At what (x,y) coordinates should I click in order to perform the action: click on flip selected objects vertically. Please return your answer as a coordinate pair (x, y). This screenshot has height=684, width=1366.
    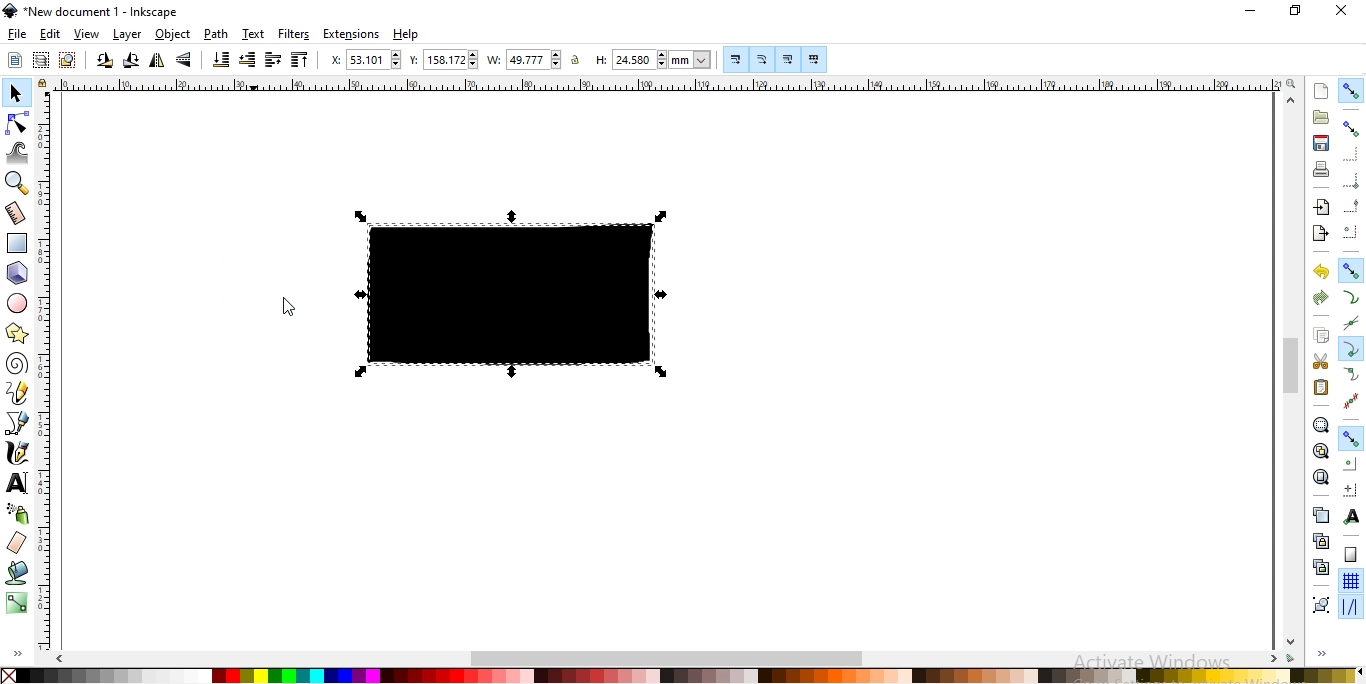
    Looking at the image, I should click on (185, 60).